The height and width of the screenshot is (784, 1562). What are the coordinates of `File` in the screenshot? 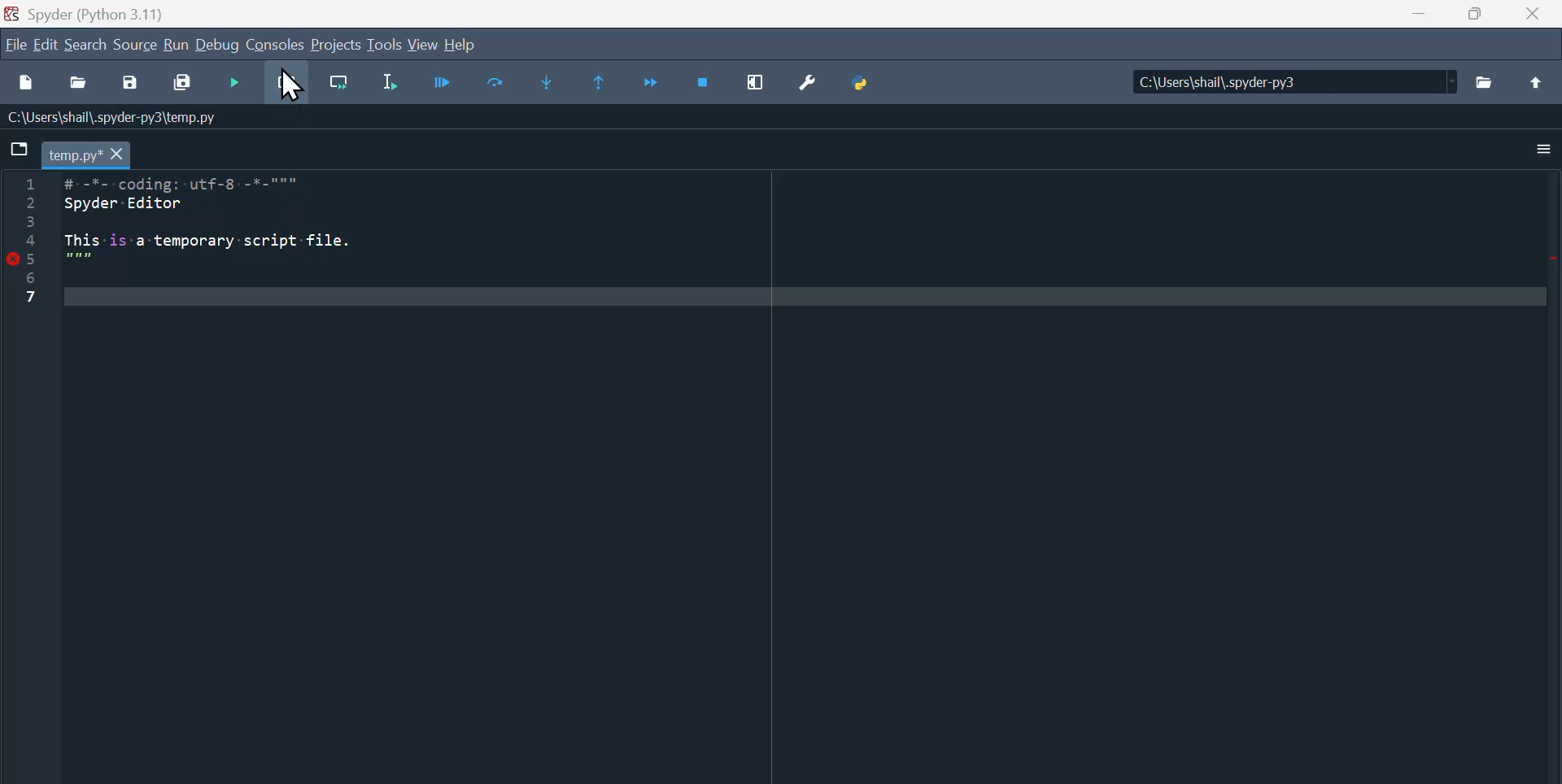 It's located at (15, 44).